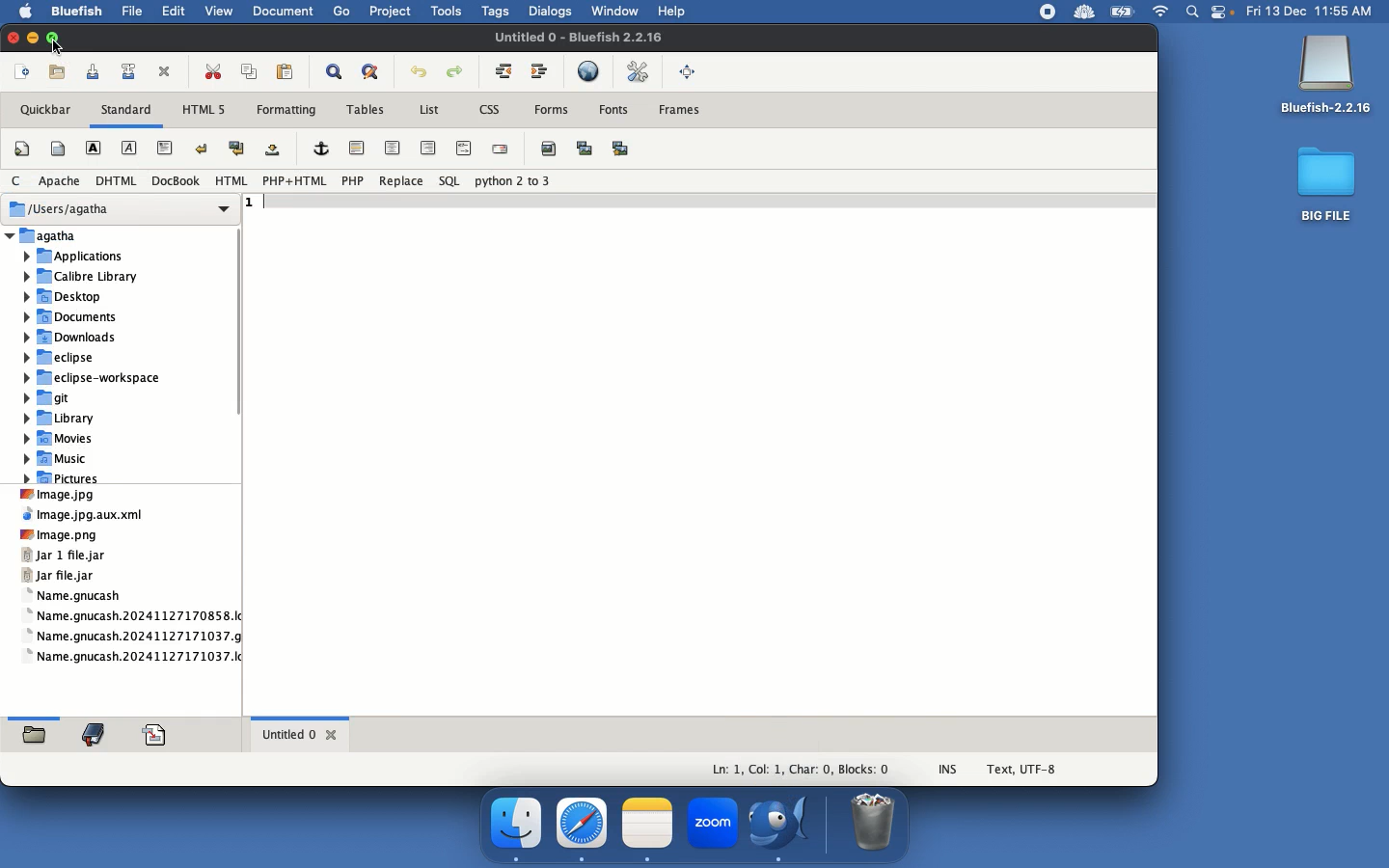 The image size is (1389, 868). What do you see at coordinates (55, 497) in the screenshot?
I see `Image` at bounding box center [55, 497].